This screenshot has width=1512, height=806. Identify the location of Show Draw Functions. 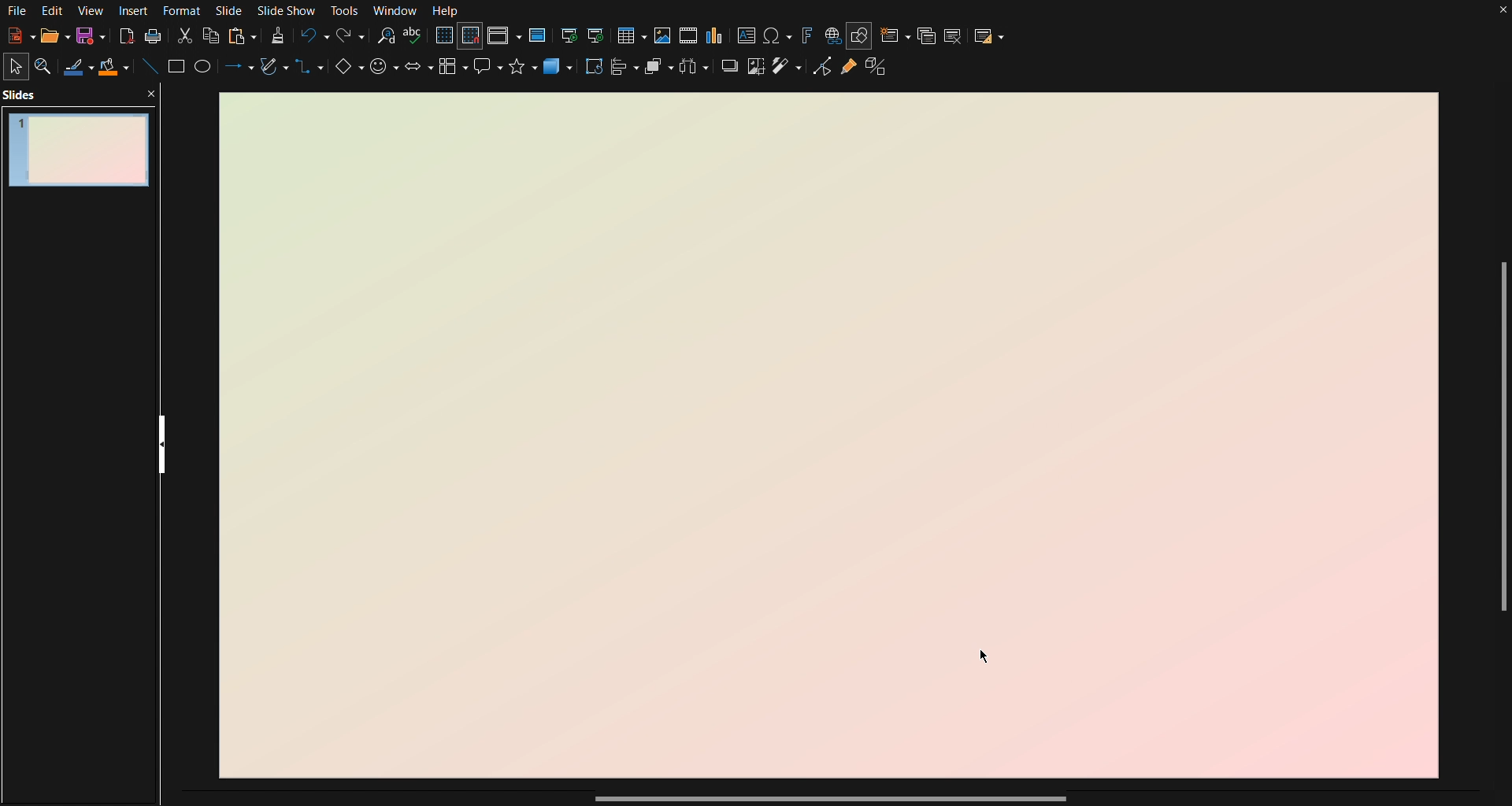
(860, 34).